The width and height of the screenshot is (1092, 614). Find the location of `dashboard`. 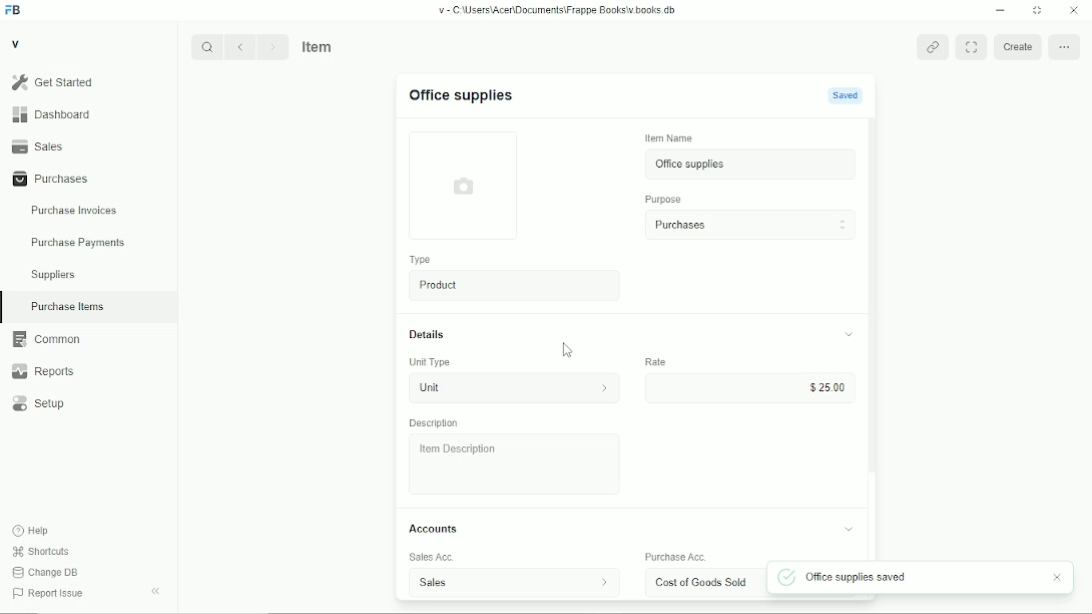

dashboard is located at coordinates (54, 114).